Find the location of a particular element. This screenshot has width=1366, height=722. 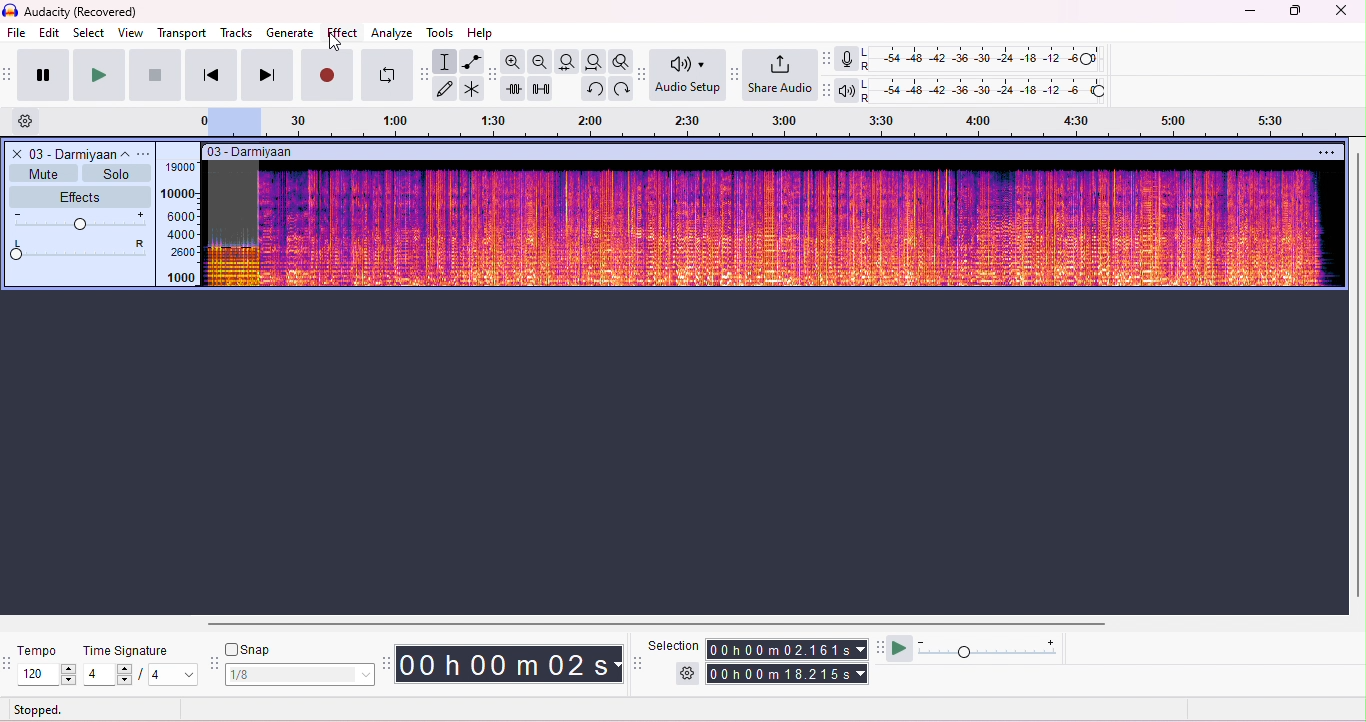

tempo tools is located at coordinates (9, 665).